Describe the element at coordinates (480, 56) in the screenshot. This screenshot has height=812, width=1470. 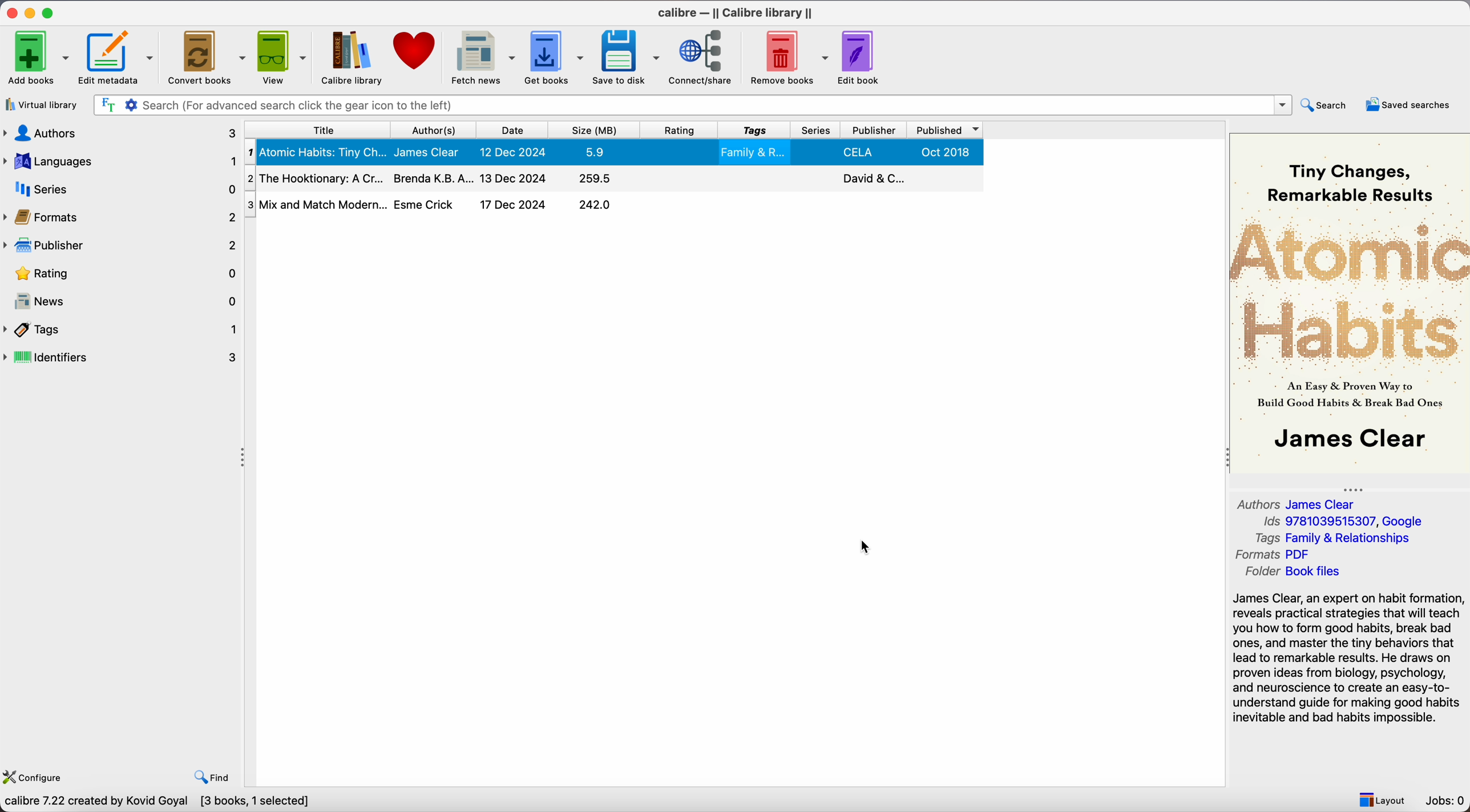
I see `fetch news` at that location.